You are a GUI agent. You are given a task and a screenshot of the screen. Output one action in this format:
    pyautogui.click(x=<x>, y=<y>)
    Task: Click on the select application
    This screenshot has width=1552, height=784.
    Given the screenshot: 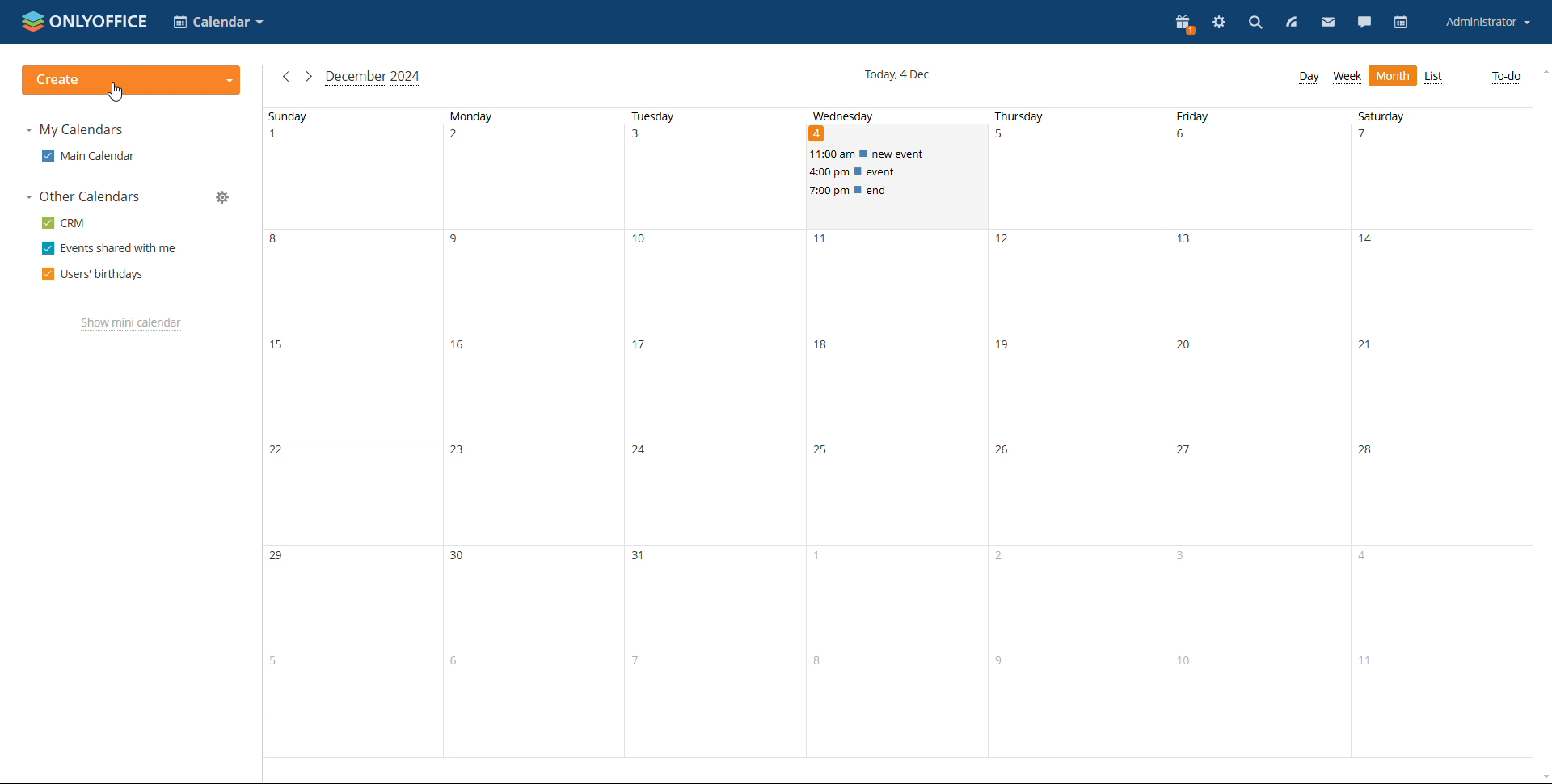 What is the action you would take?
    pyautogui.click(x=217, y=22)
    